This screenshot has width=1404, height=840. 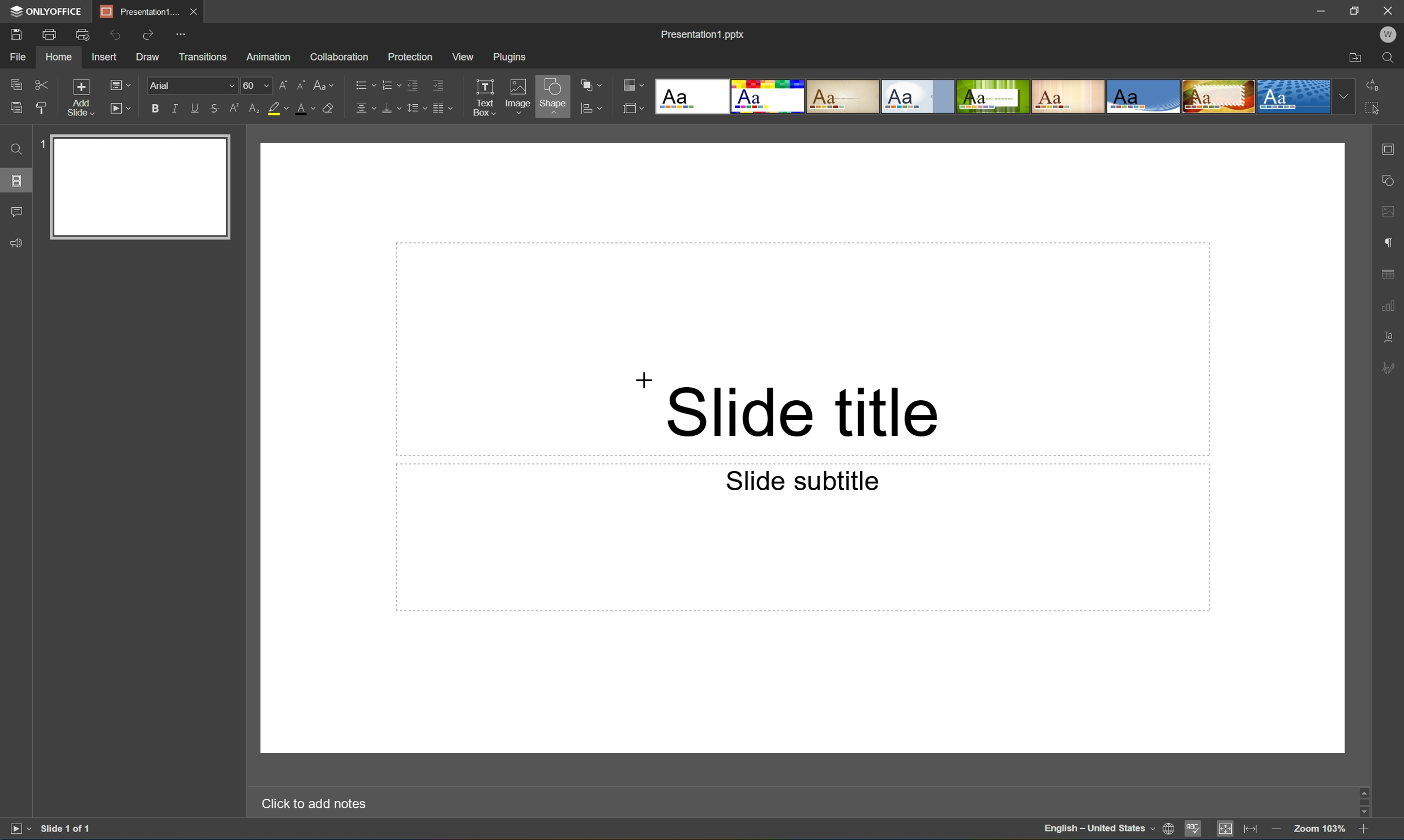 What do you see at coordinates (1362, 790) in the screenshot?
I see `scroll up` at bounding box center [1362, 790].